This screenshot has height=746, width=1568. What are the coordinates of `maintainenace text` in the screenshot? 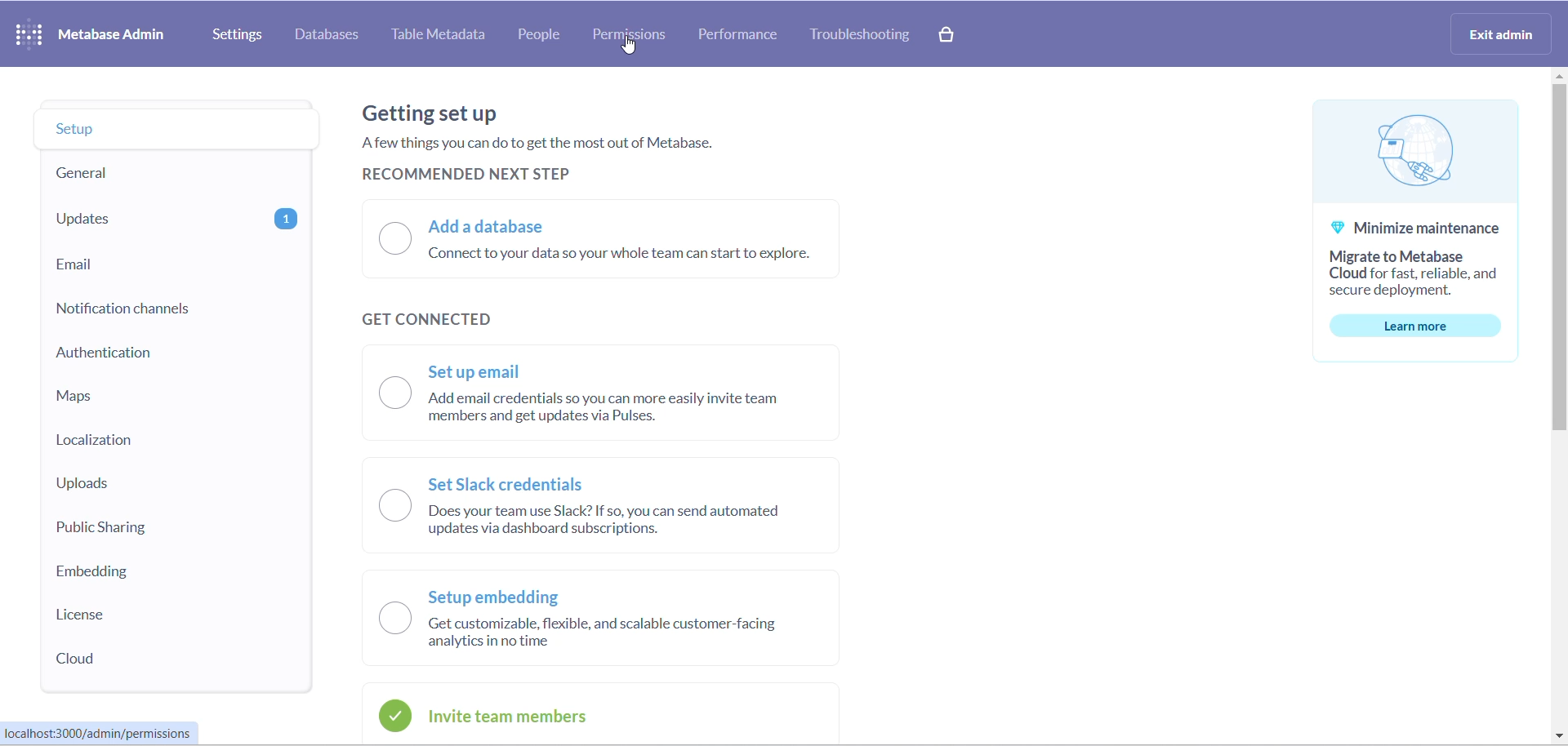 It's located at (1423, 259).